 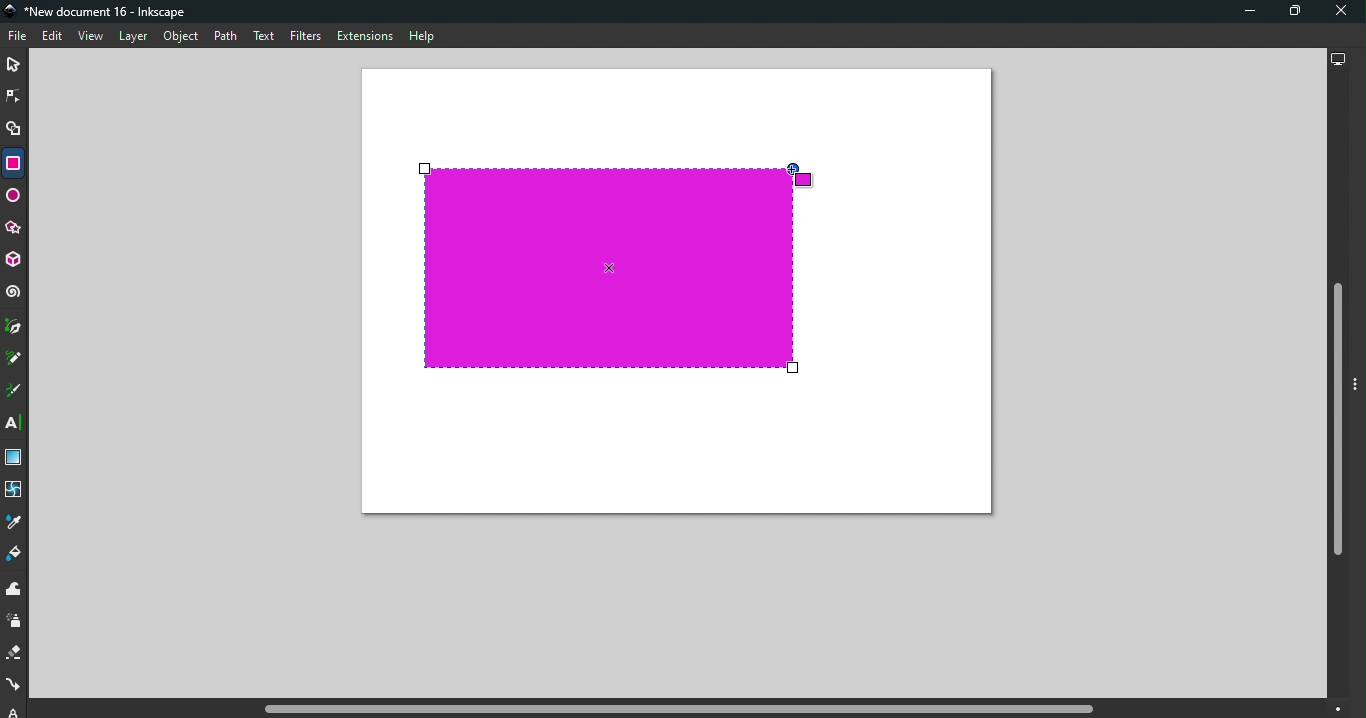 I want to click on Object, so click(x=181, y=37).